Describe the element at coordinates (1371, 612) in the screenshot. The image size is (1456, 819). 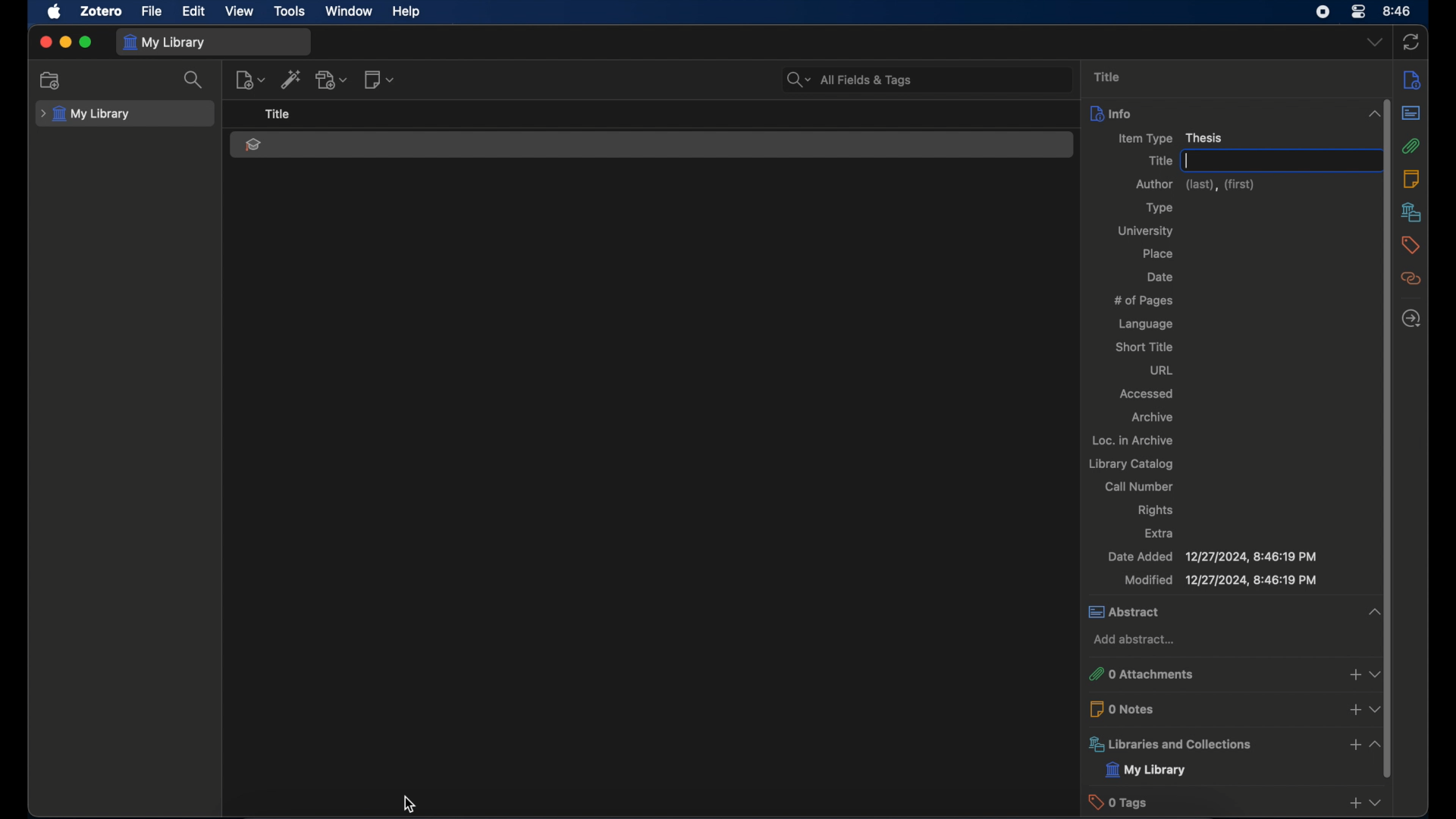
I see `collapse` at that location.